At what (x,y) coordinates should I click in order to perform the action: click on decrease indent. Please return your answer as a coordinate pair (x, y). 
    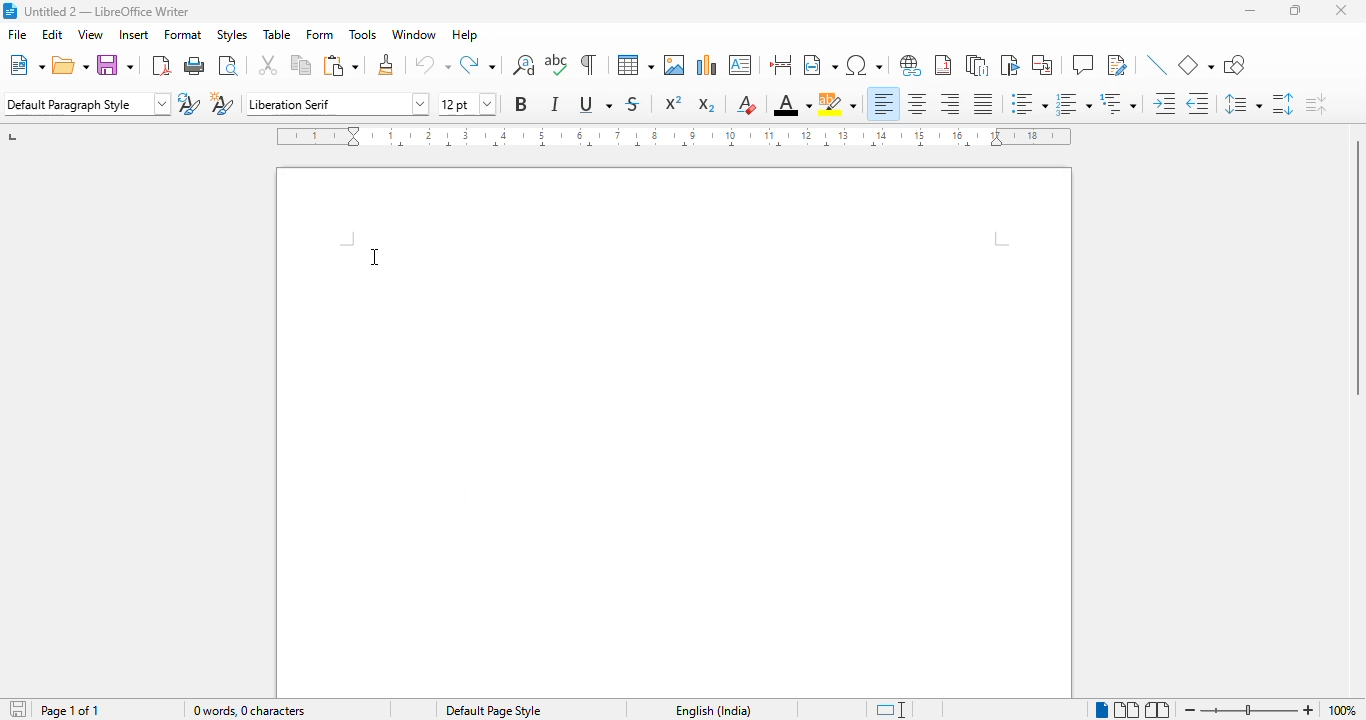
    Looking at the image, I should click on (1199, 103).